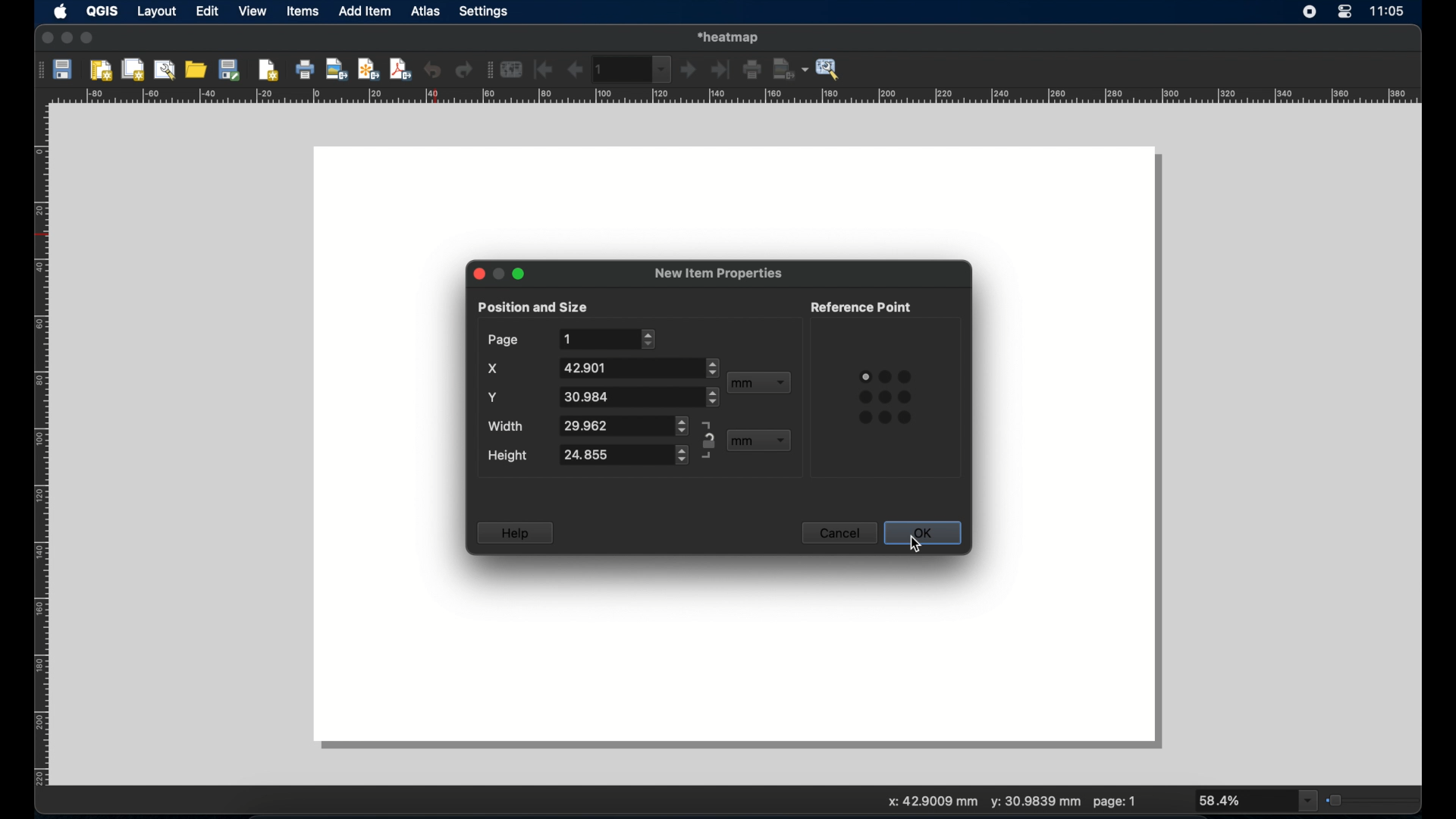 This screenshot has width=1456, height=819. I want to click on width stepper buttons, so click(623, 425).